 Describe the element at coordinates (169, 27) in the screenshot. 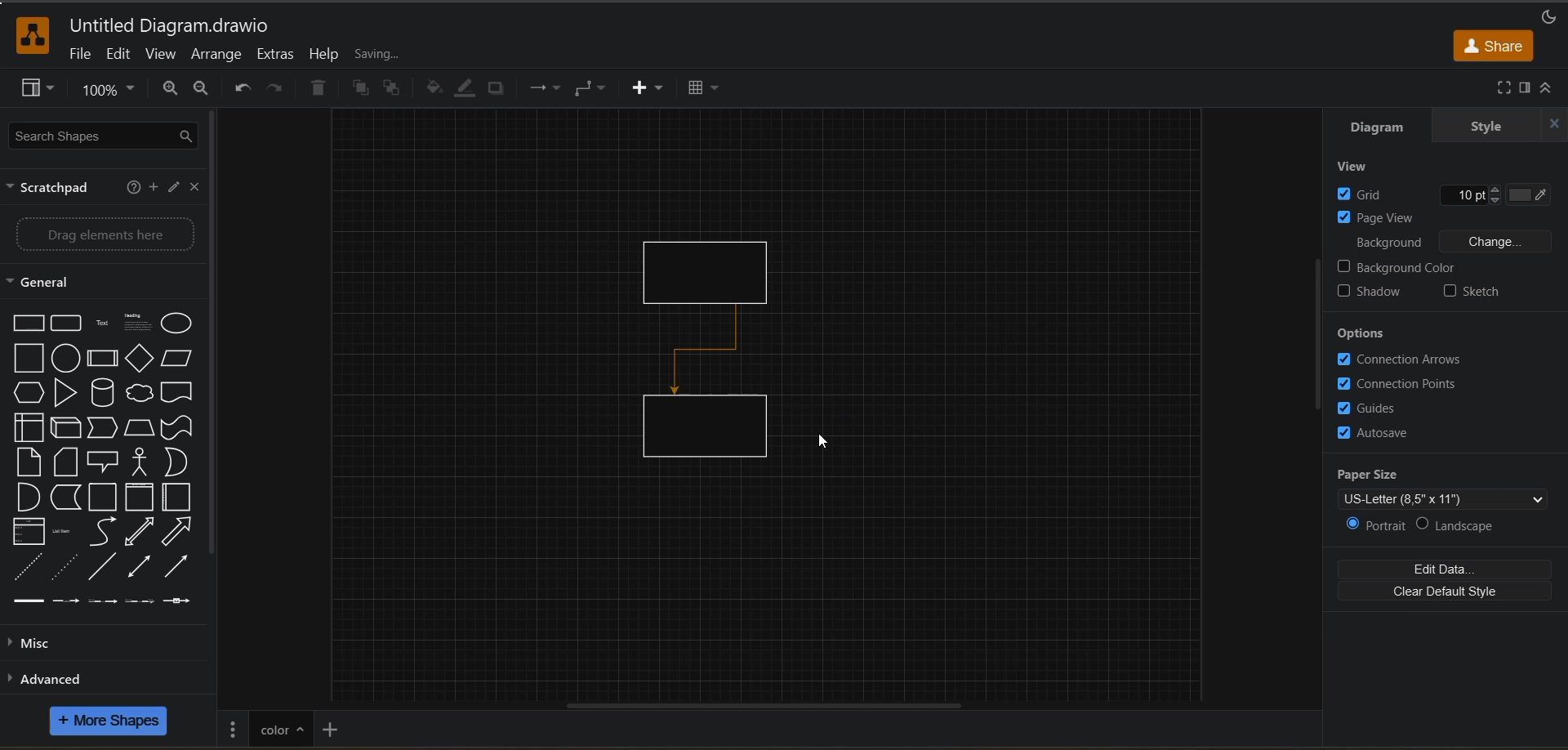

I see `file name and app title` at that location.